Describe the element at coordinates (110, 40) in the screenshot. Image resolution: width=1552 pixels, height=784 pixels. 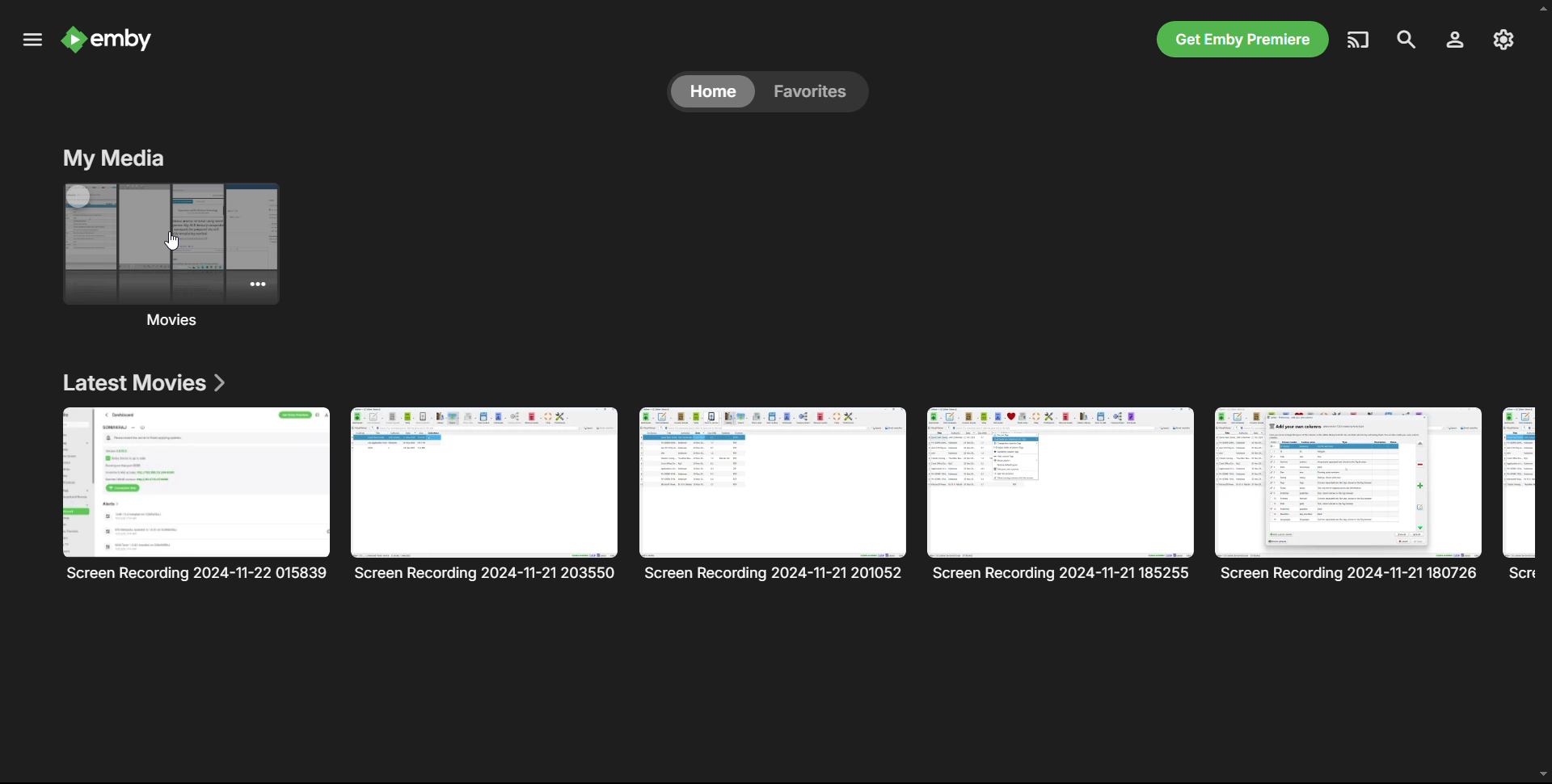
I see `emby` at that location.